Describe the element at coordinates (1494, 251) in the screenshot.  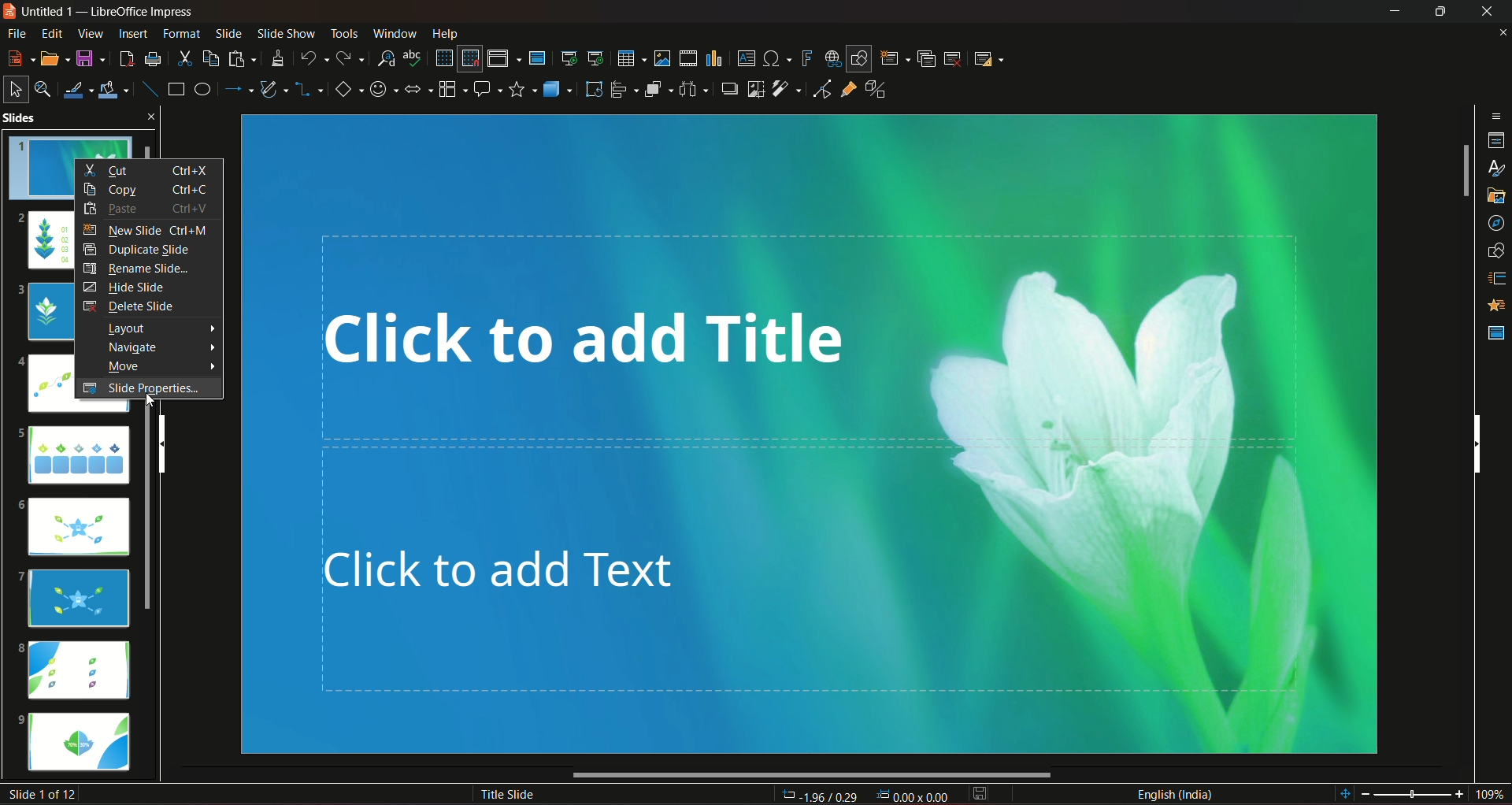
I see `shapes` at that location.